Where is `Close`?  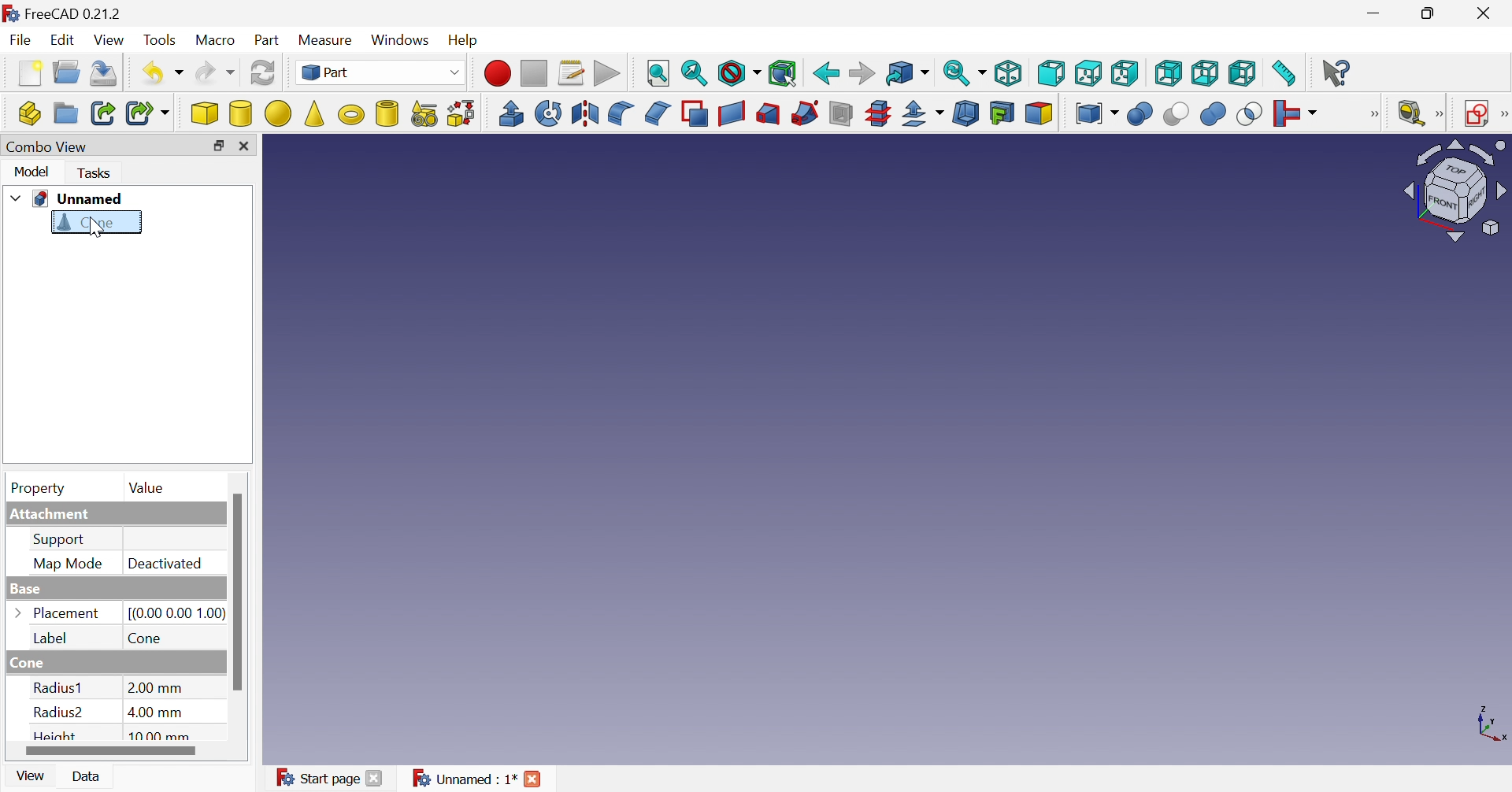
Close is located at coordinates (372, 781).